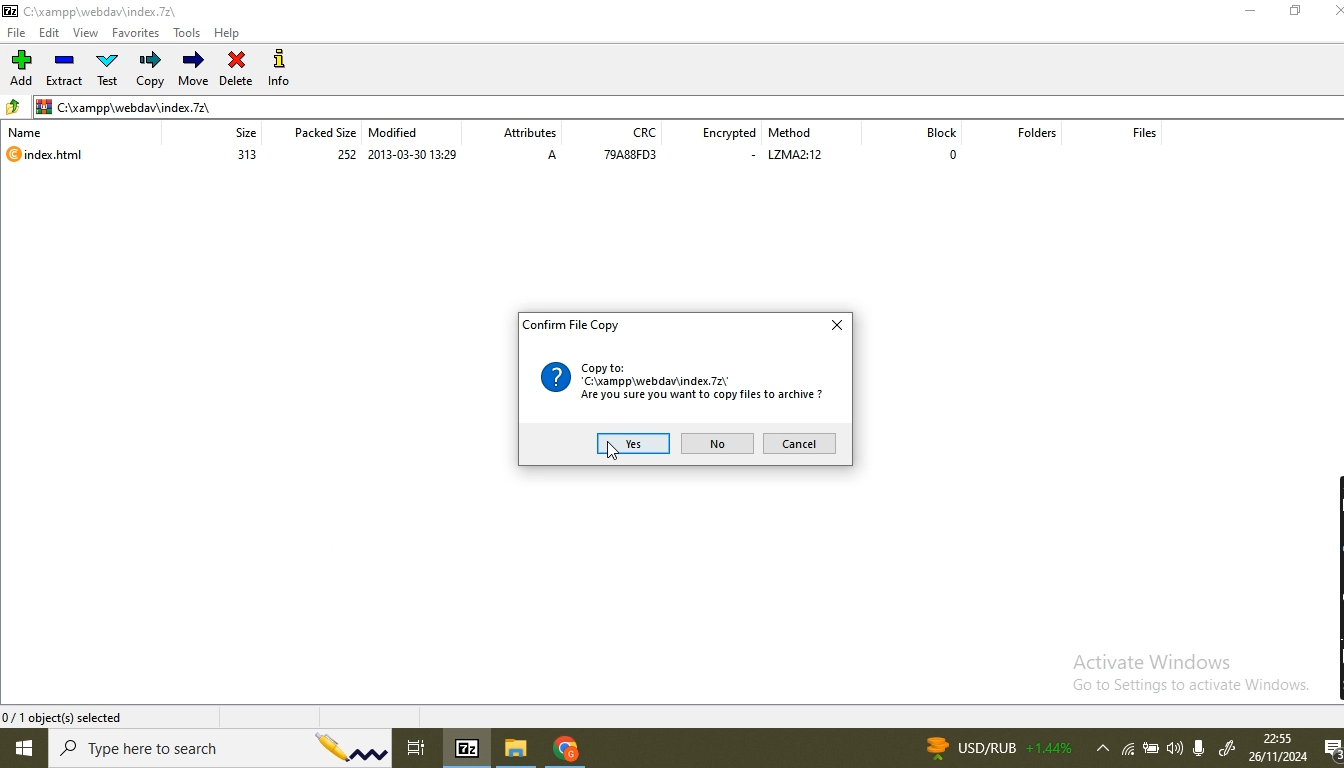  What do you see at coordinates (683, 382) in the screenshot?
I see `Copyto:'C:\xampp\webdav\index.7z\'re you sure you want to copy files to archive?` at bounding box center [683, 382].